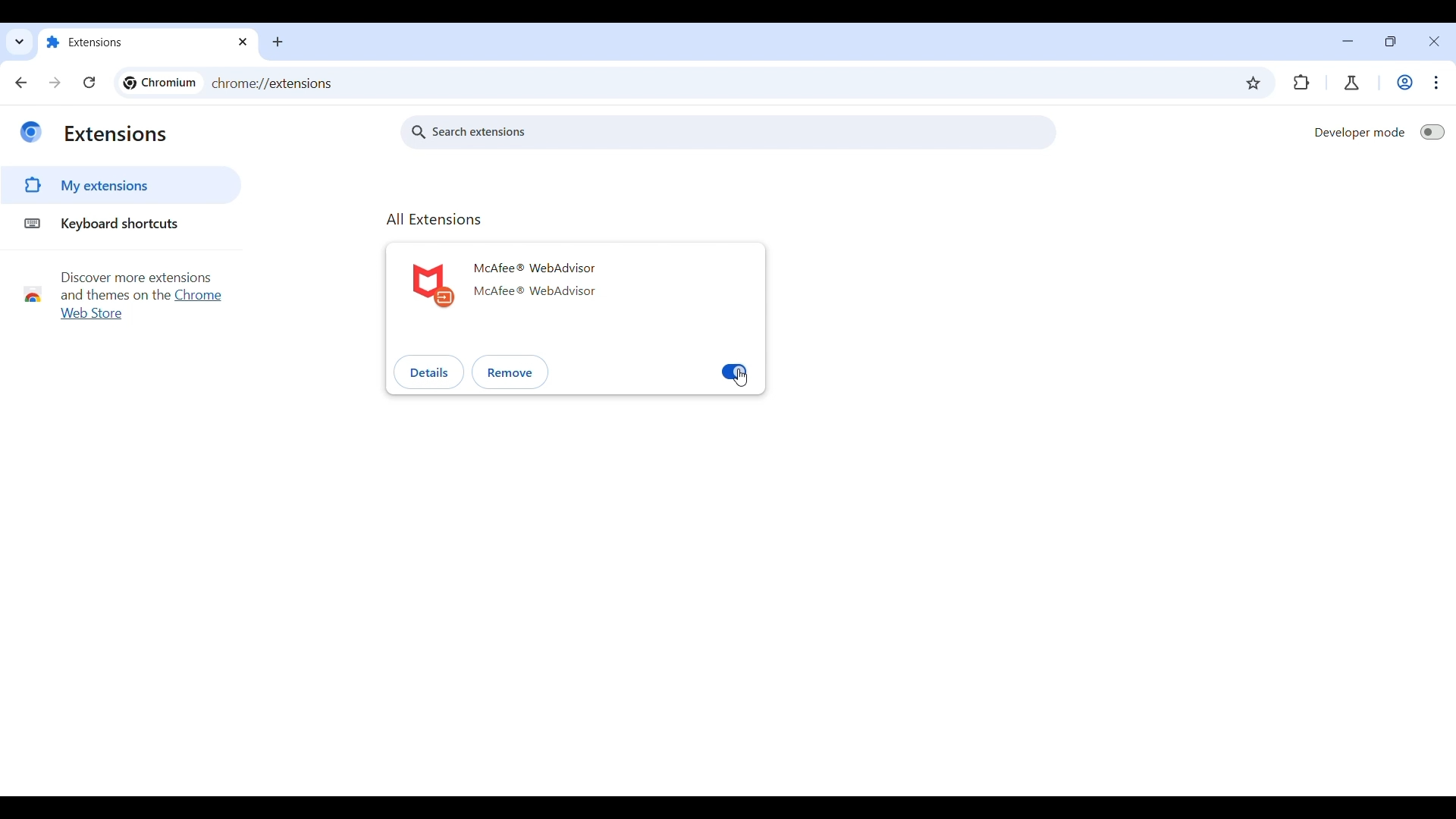 The height and width of the screenshot is (819, 1456). Describe the element at coordinates (1437, 83) in the screenshot. I see `Customize and control Chromium highlighted` at that location.